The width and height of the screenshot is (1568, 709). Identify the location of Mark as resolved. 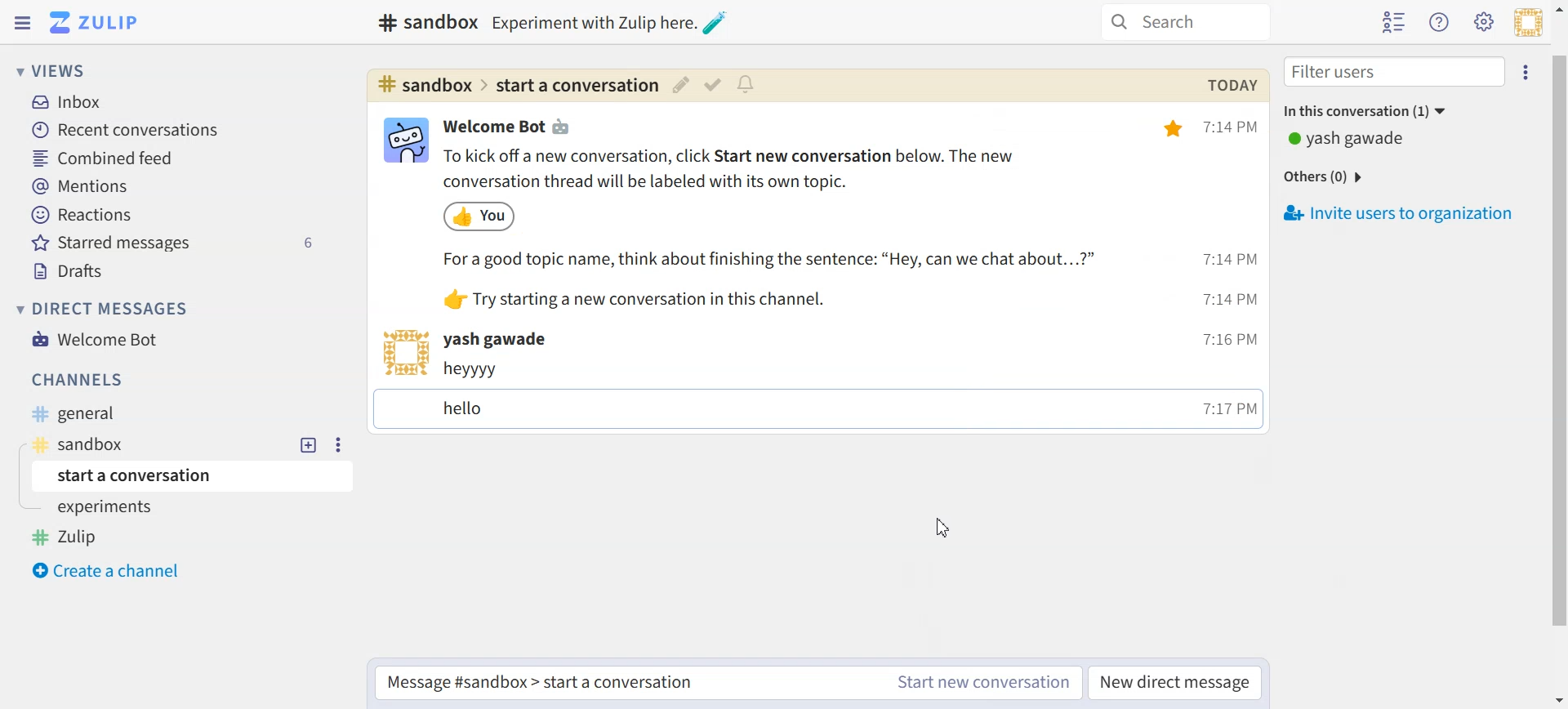
(711, 85).